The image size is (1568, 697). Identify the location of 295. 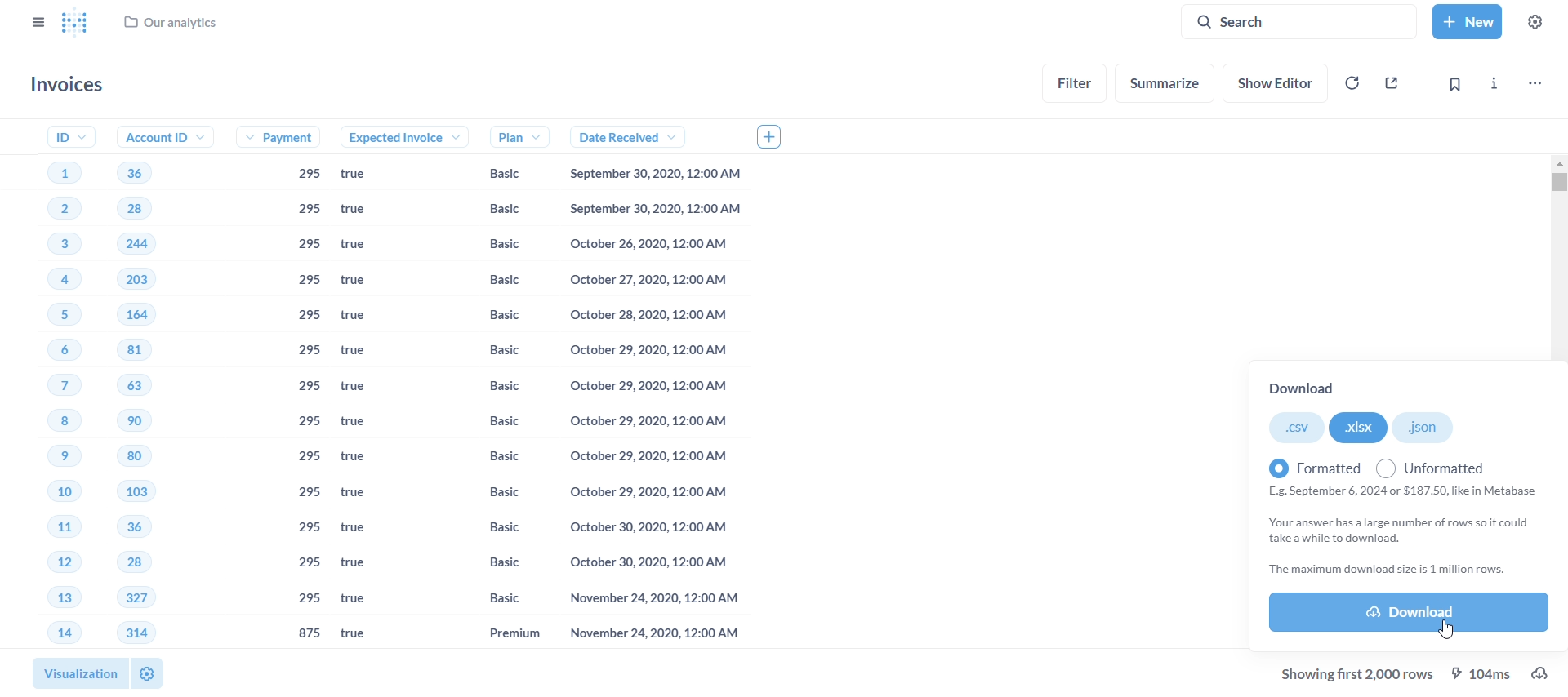
(306, 210).